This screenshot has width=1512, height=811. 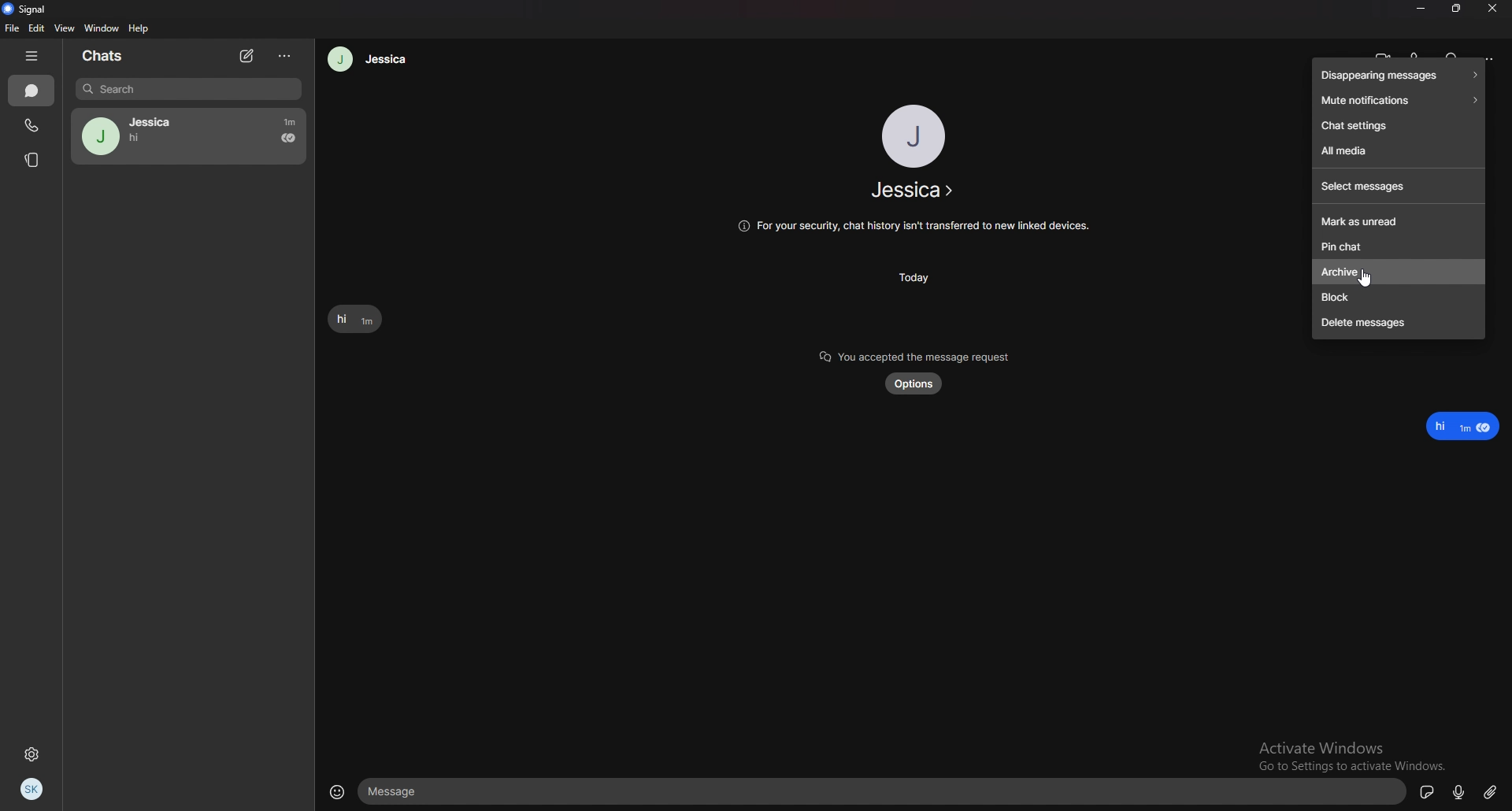 What do you see at coordinates (1428, 791) in the screenshot?
I see `stickers` at bounding box center [1428, 791].